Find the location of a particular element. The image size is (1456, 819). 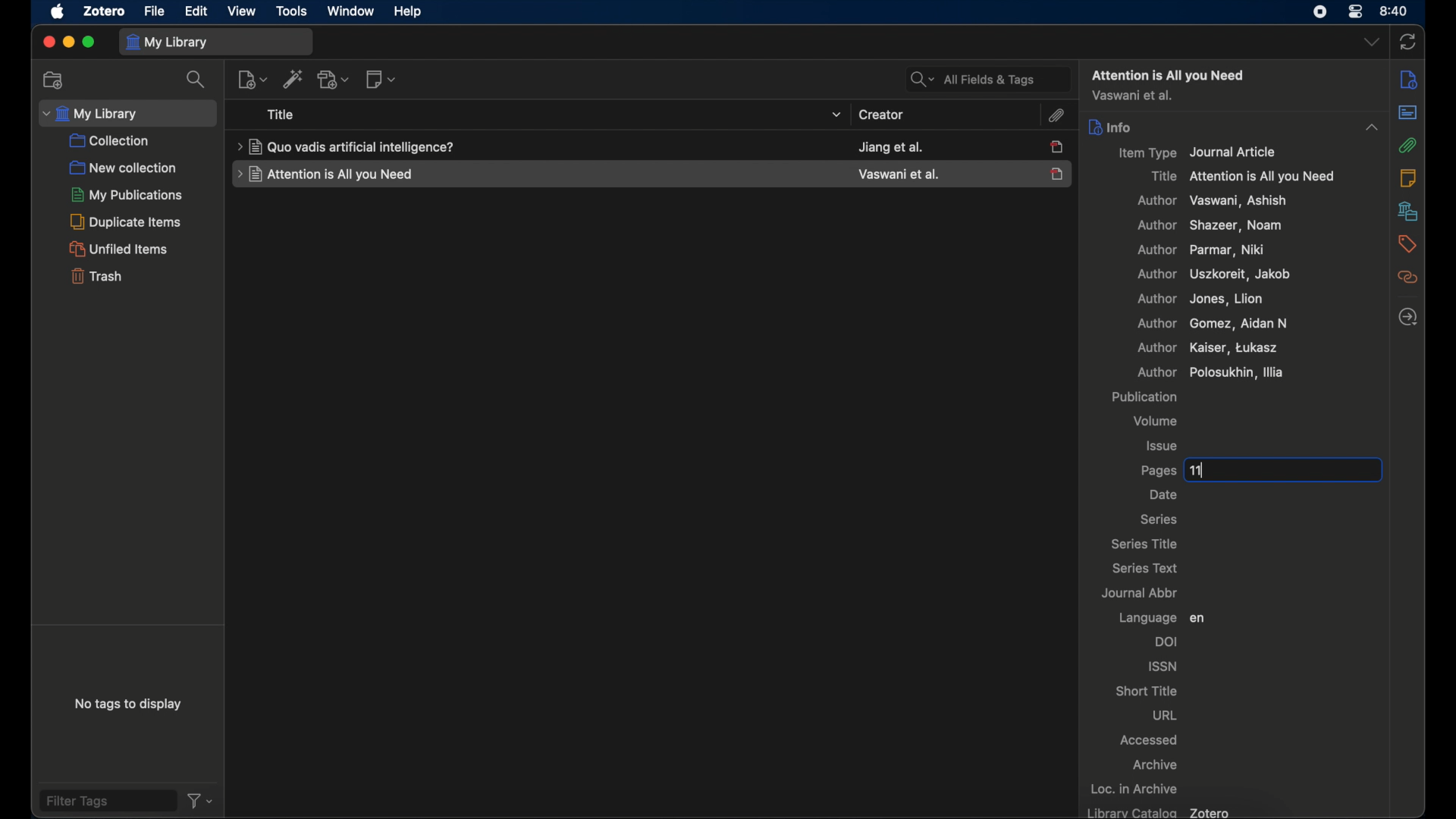

view is located at coordinates (243, 11).